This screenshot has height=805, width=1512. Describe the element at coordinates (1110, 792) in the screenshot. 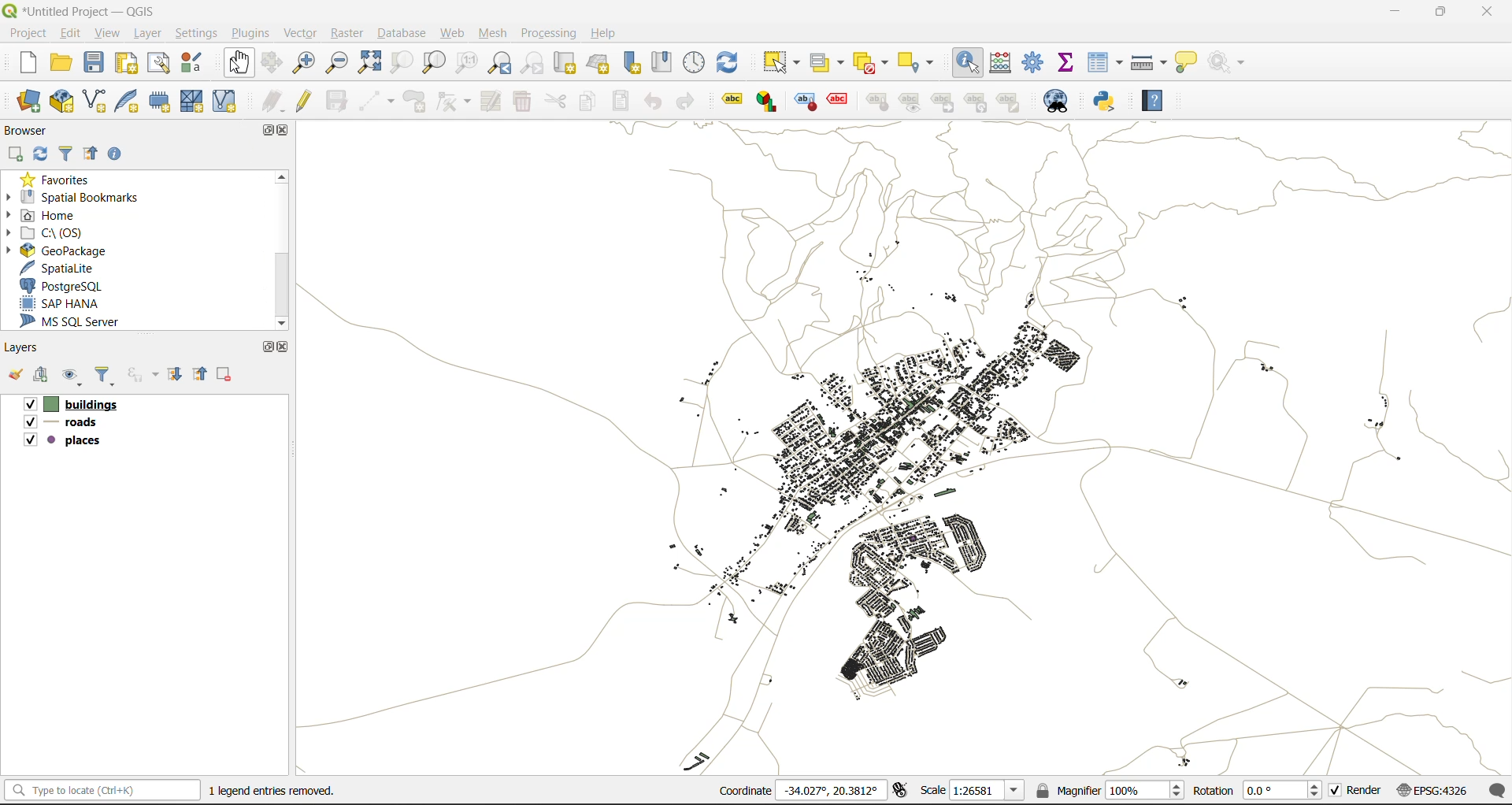

I see `magnifier` at that location.